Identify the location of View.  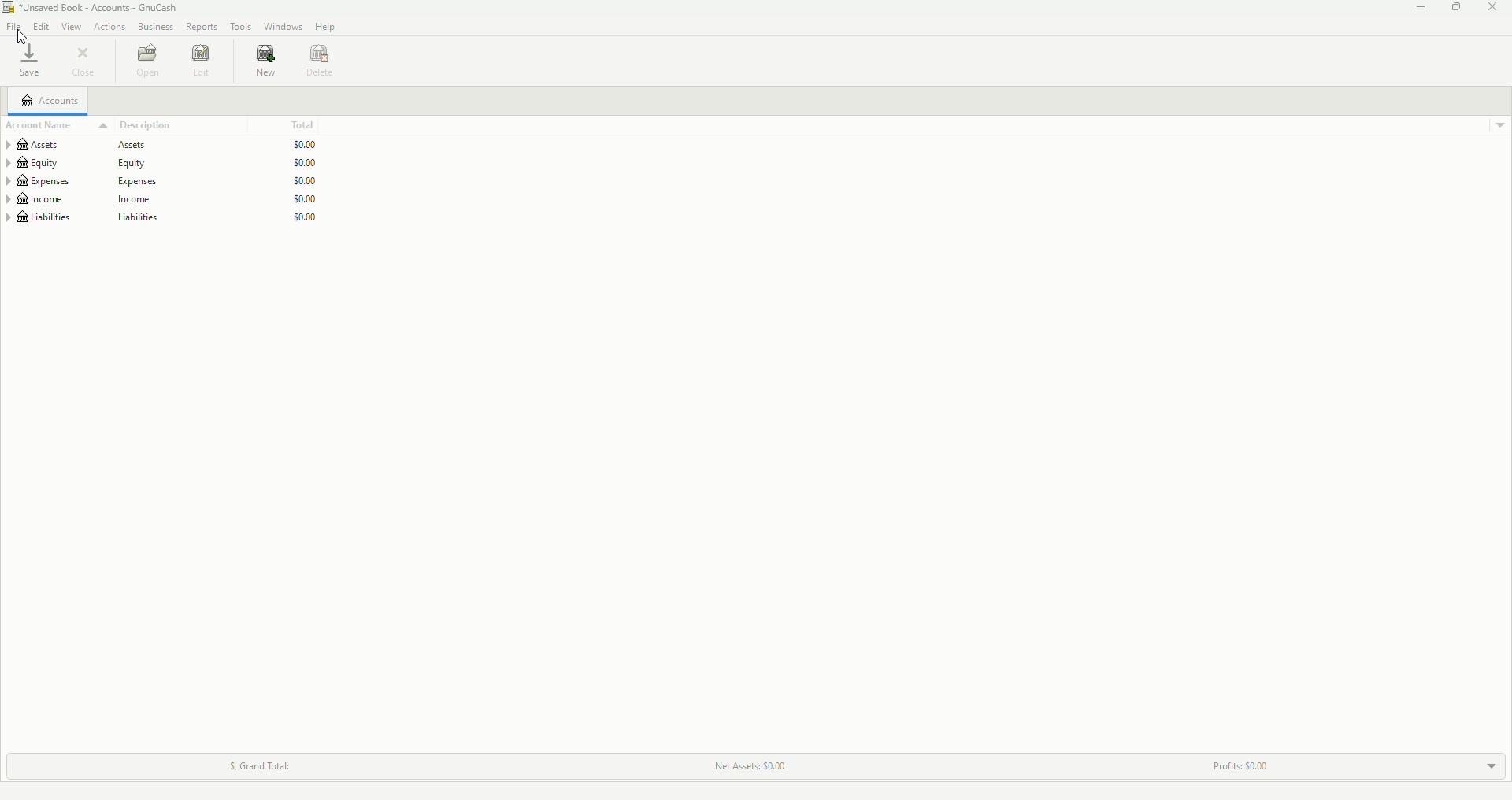
(70, 27).